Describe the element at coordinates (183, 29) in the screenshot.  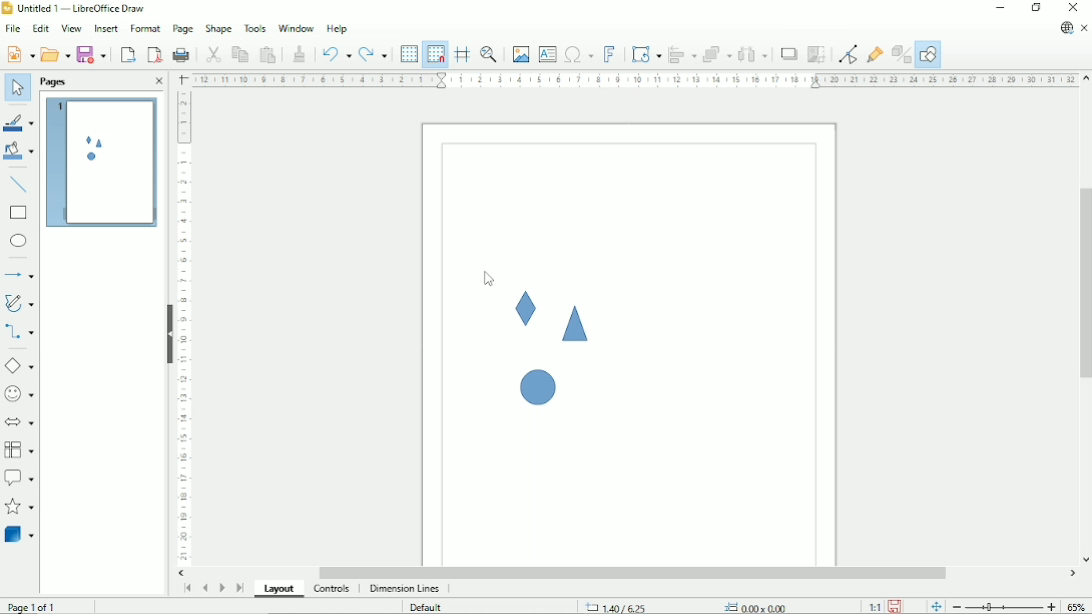
I see `Page` at that location.